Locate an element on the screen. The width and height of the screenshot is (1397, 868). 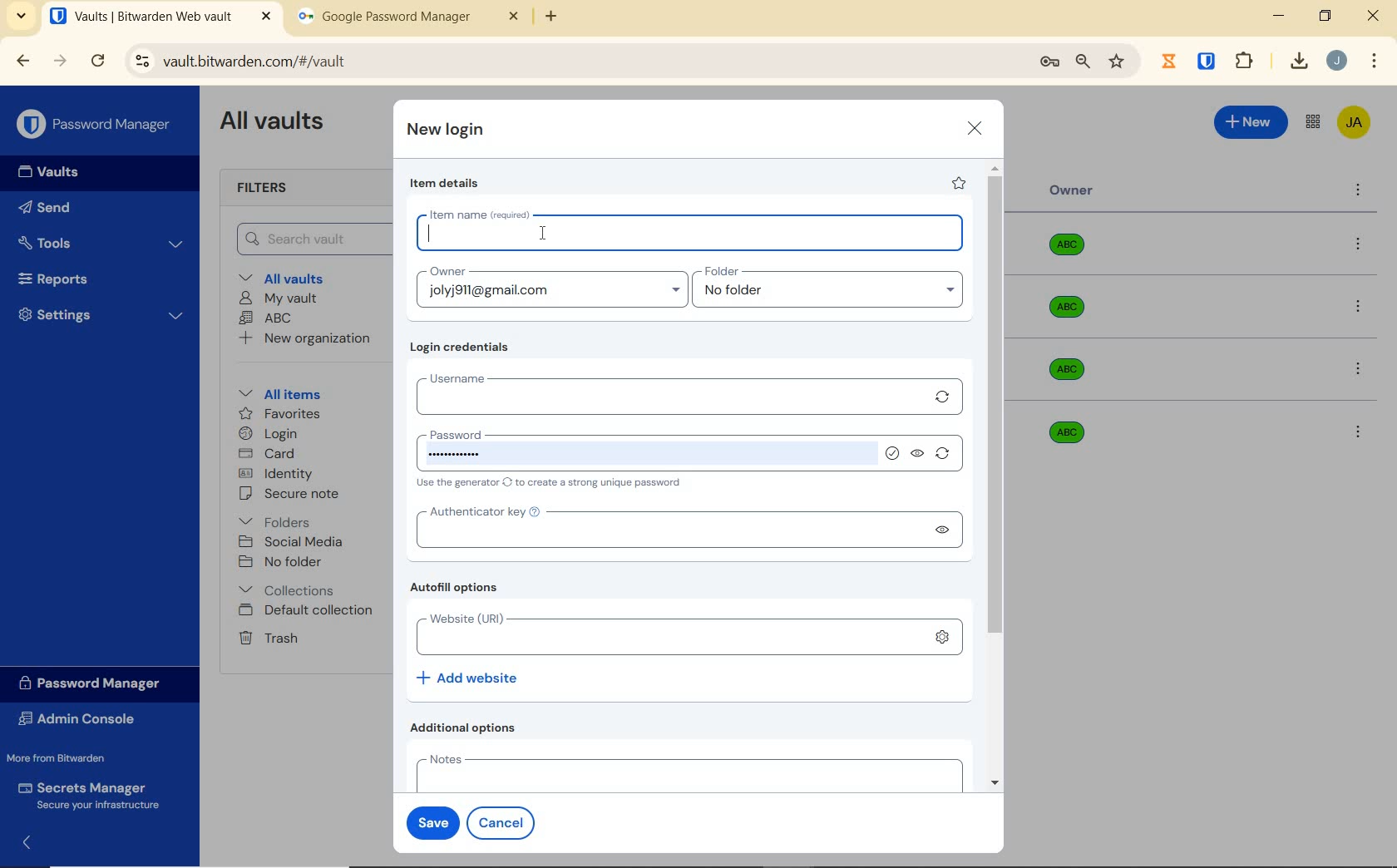
Account is located at coordinates (1336, 61).